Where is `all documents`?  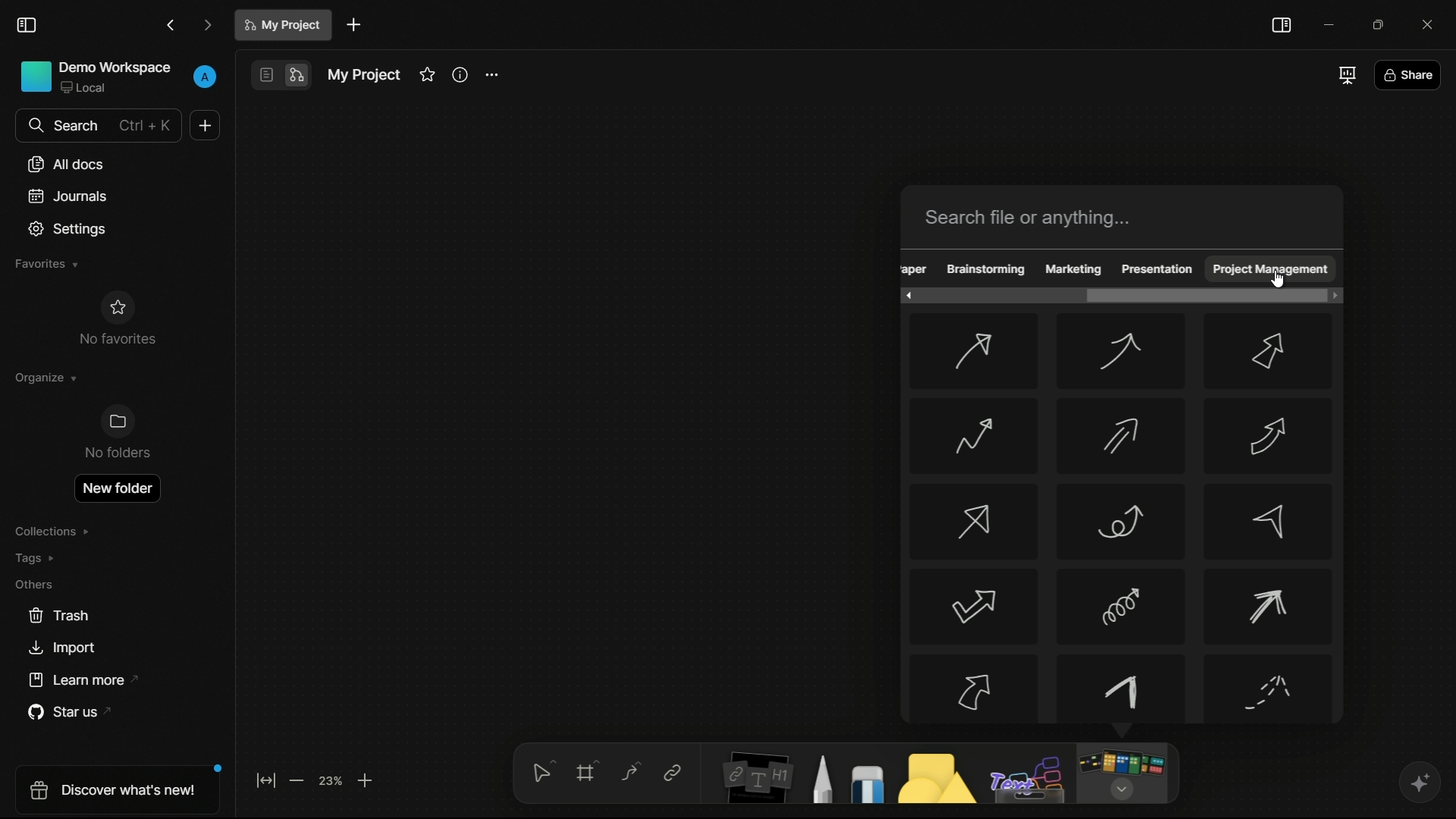 all documents is located at coordinates (67, 164).